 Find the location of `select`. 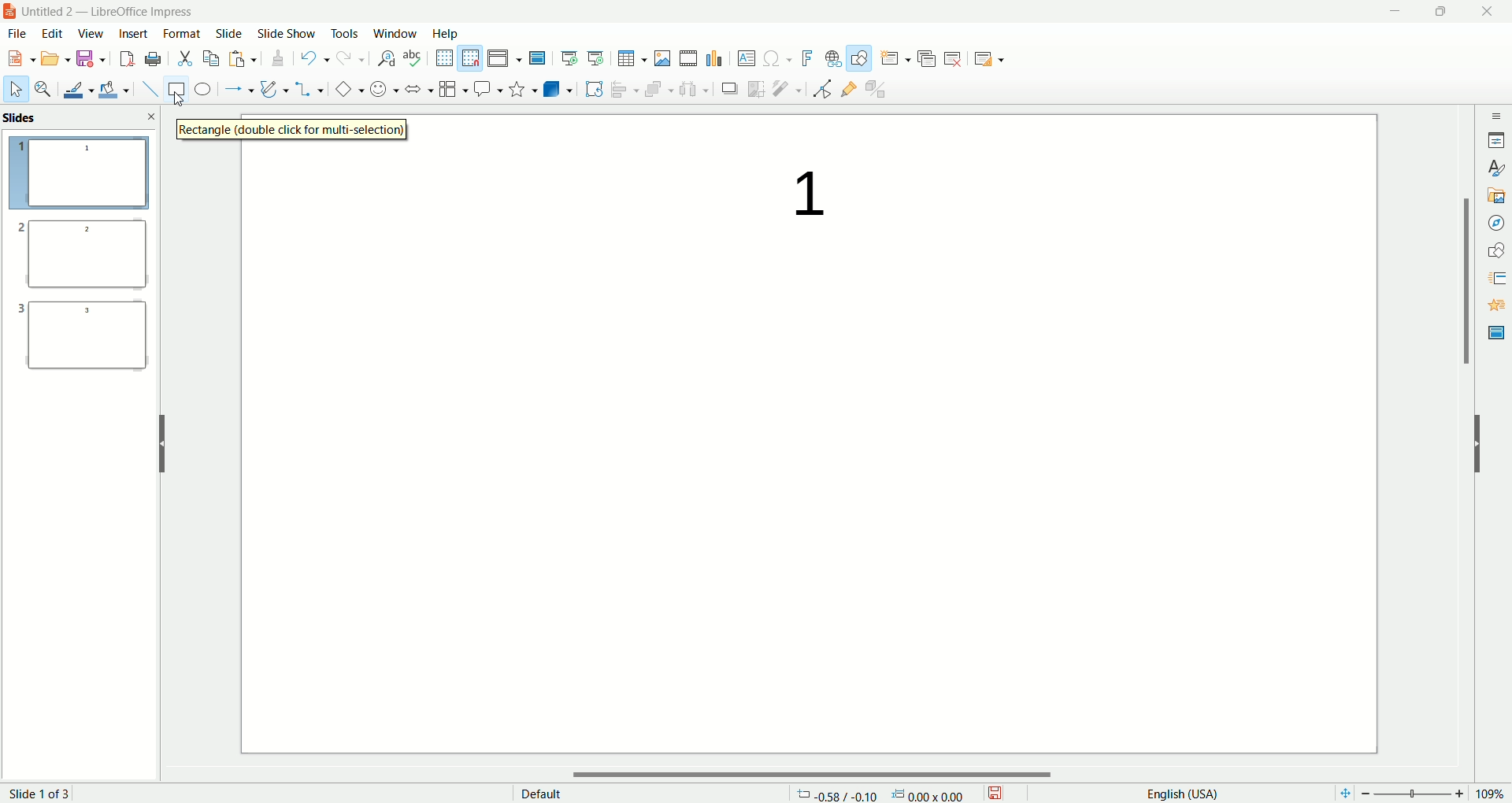

select is located at coordinates (16, 92).